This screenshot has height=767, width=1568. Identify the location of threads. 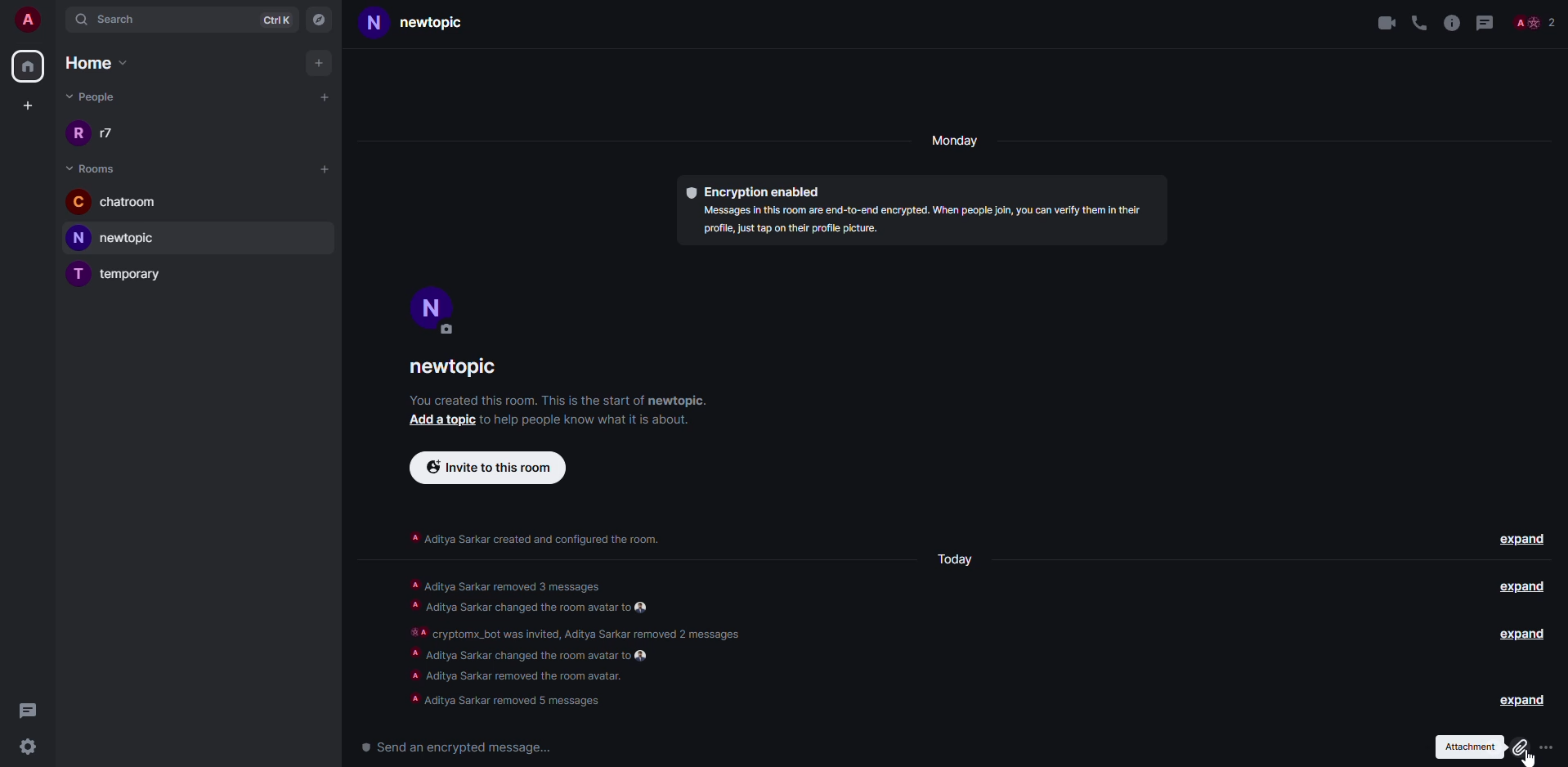
(28, 710).